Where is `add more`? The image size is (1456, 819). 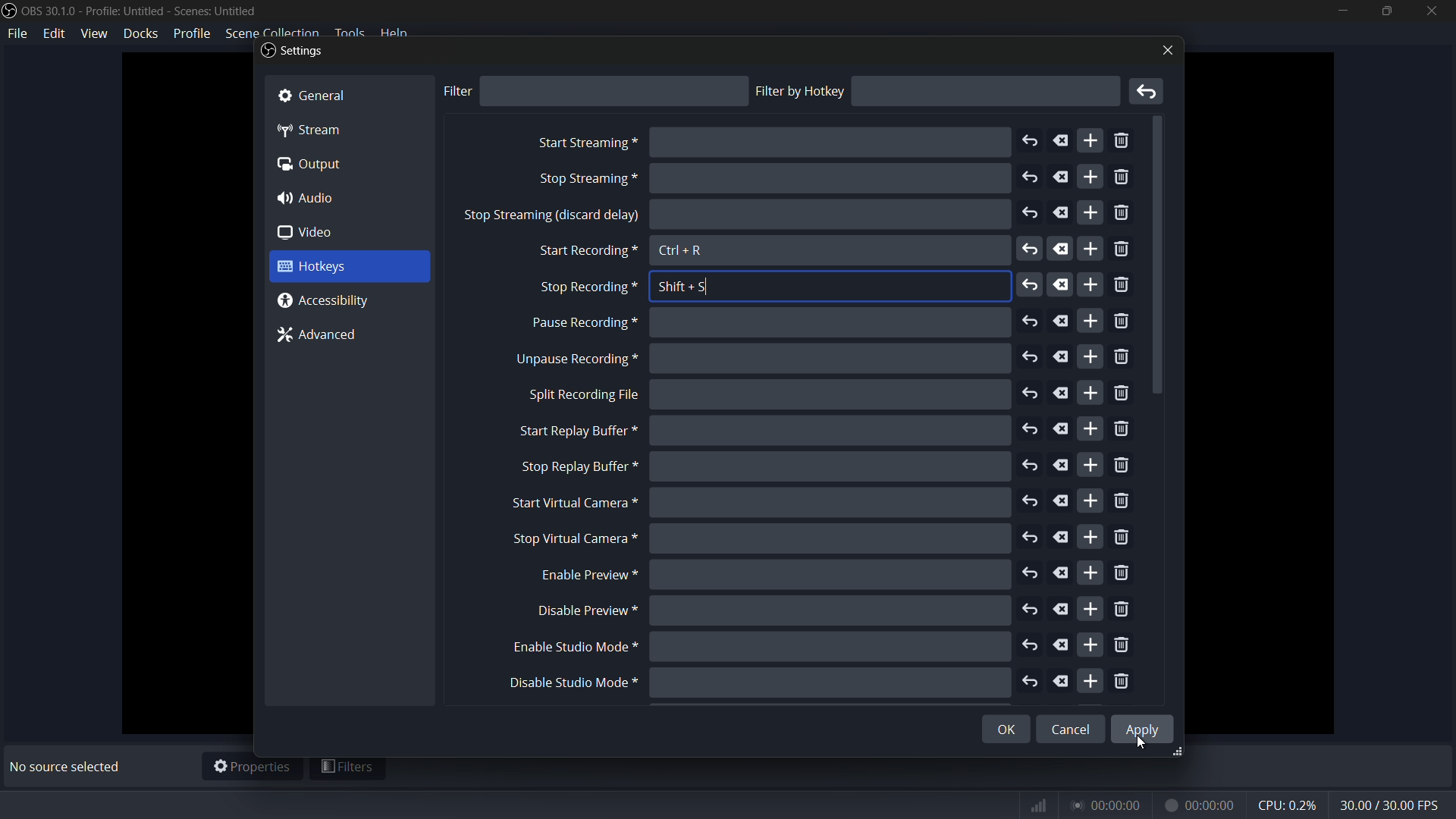
add more is located at coordinates (1090, 322).